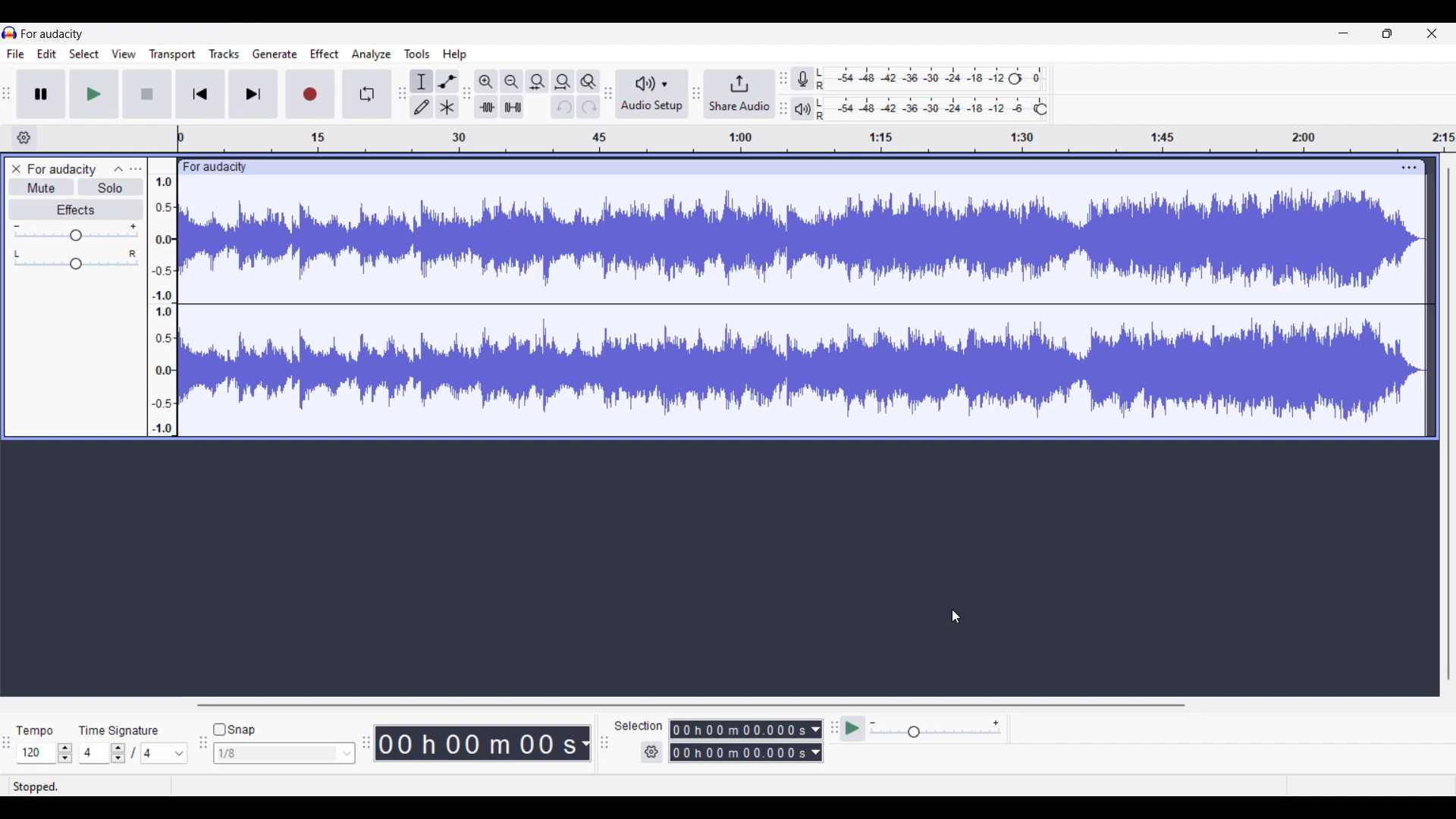 The image size is (1456, 819). What do you see at coordinates (448, 81) in the screenshot?
I see `Envelop tool` at bounding box center [448, 81].